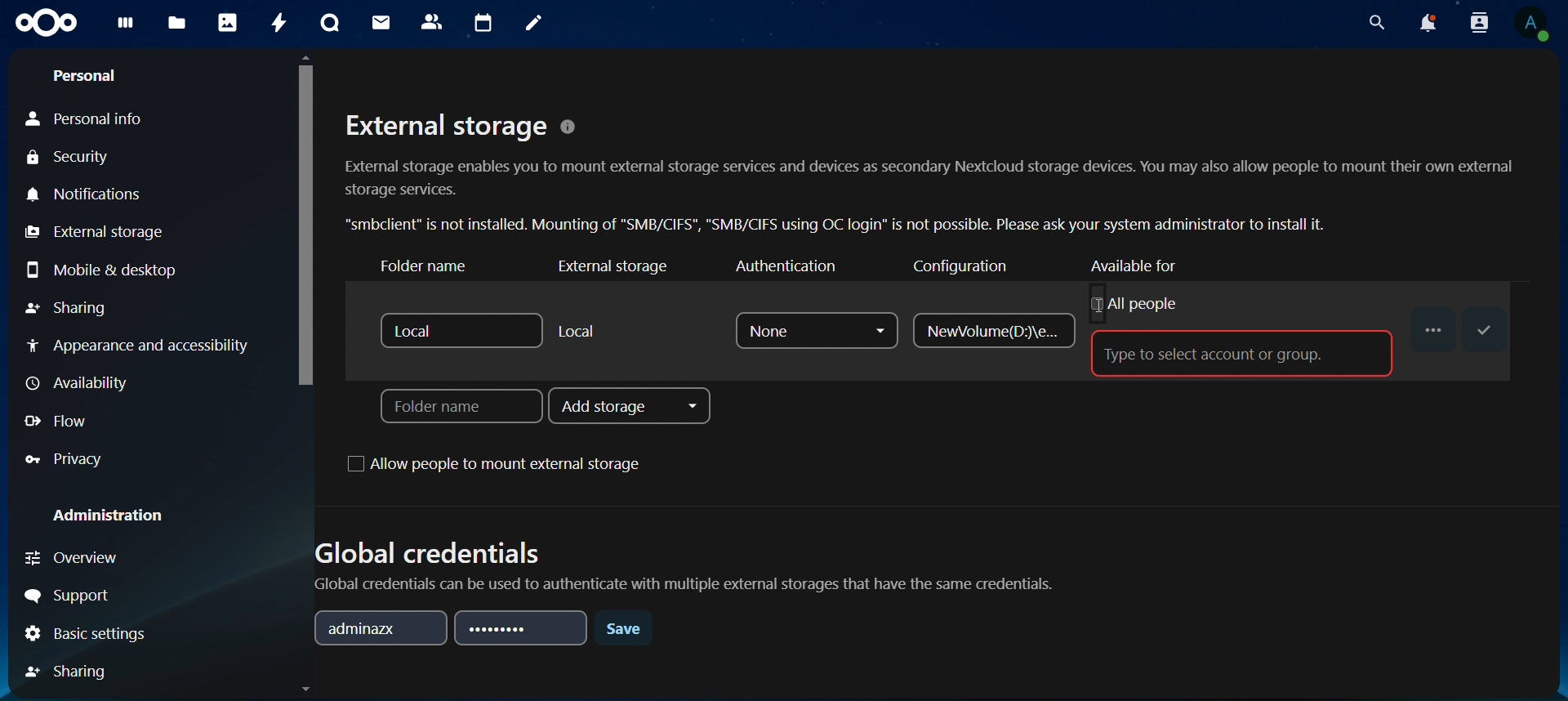  What do you see at coordinates (523, 628) in the screenshot?
I see `password` at bounding box center [523, 628].